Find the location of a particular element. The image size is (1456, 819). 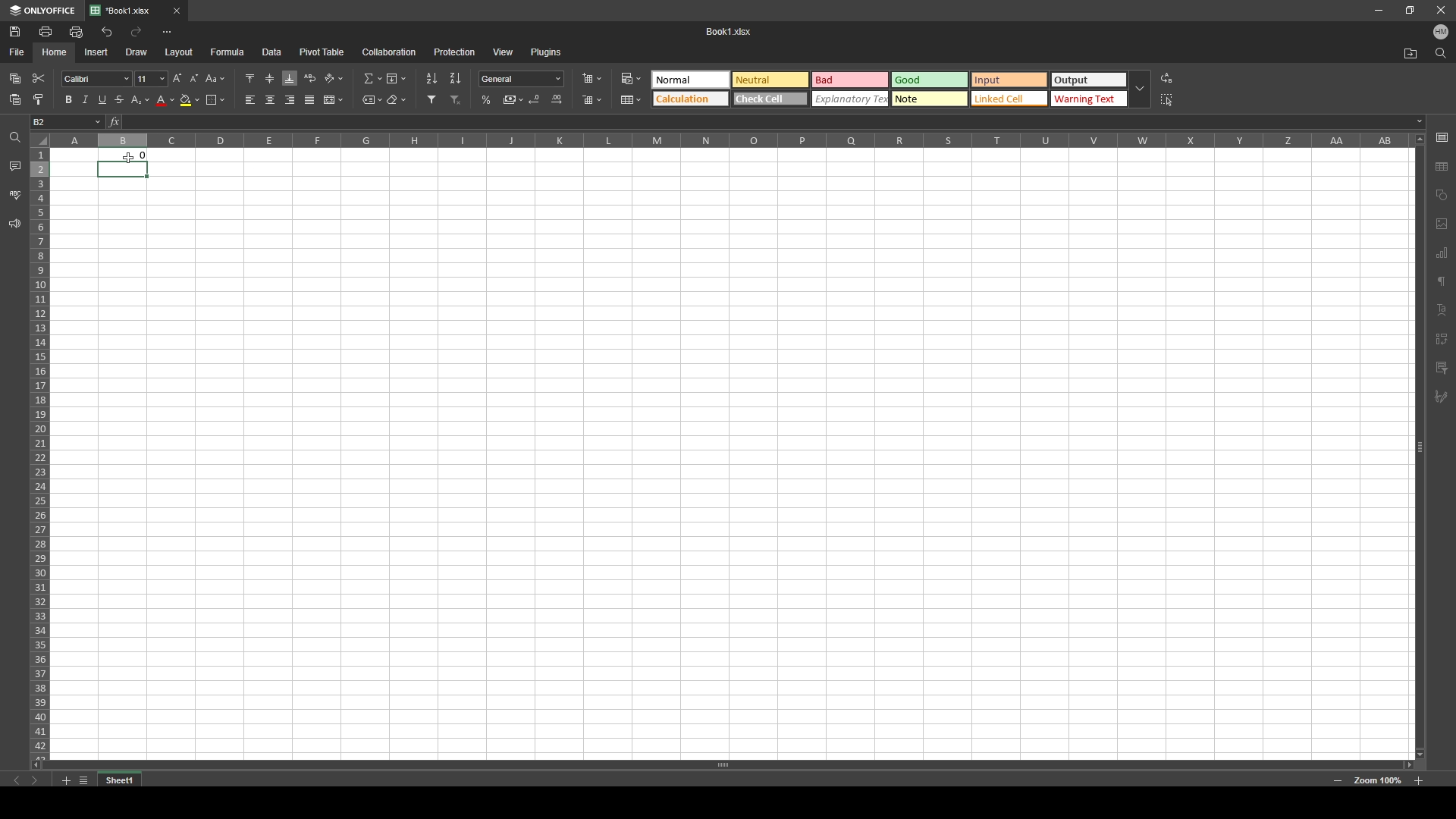

Neutral is located at coordinates (689, 79).